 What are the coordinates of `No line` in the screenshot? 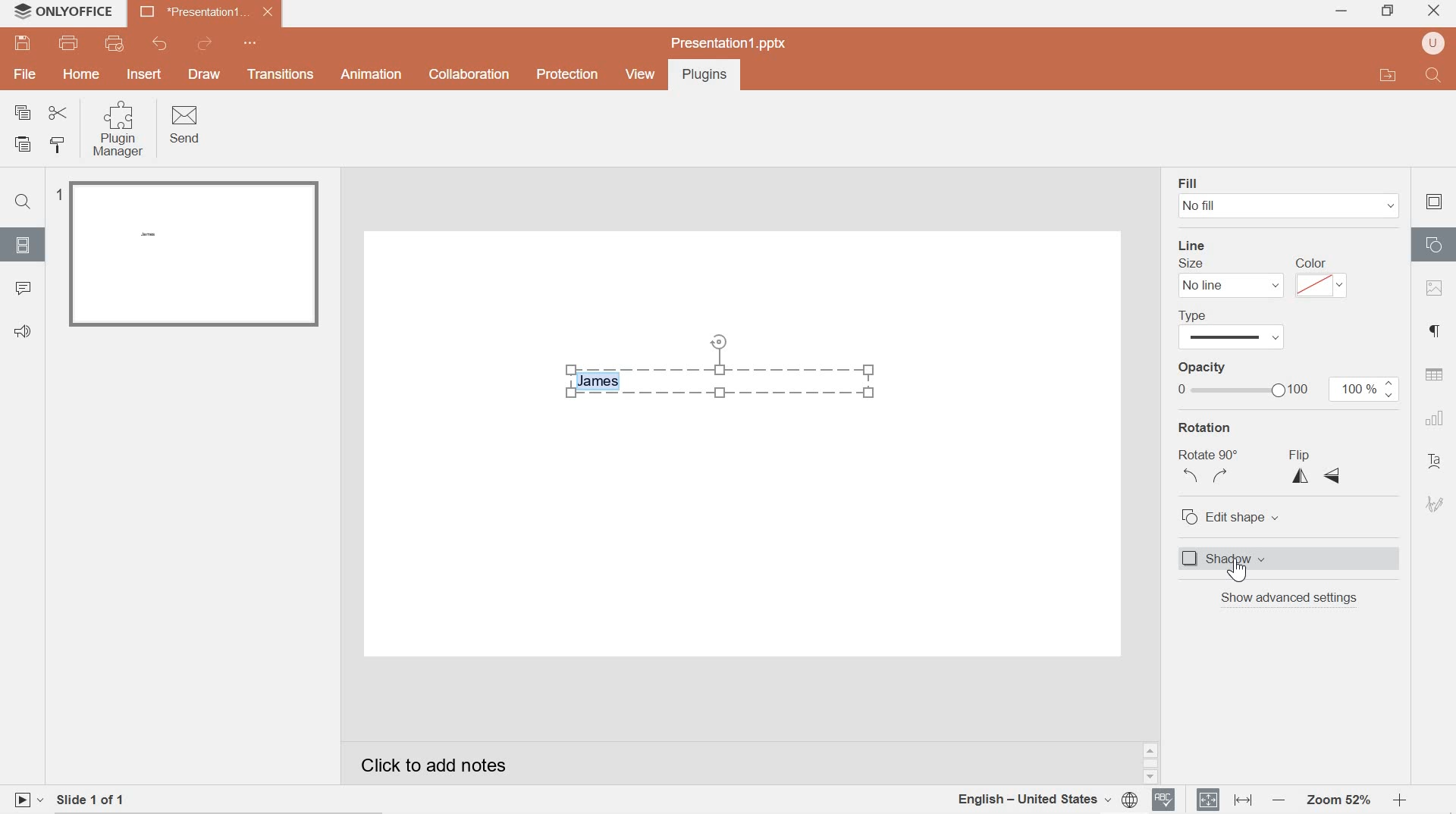 It's located at (1227, 286).